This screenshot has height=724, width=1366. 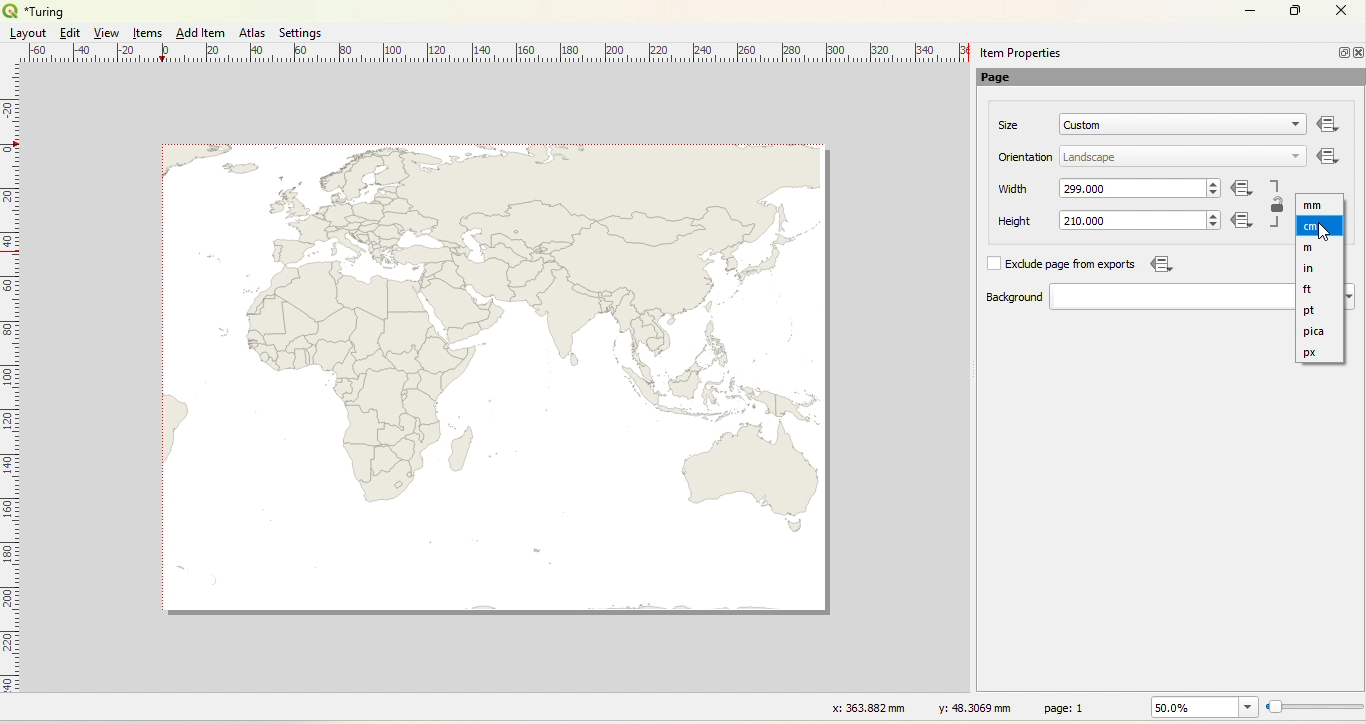 What do you see at coordinates (1010, 126) in the screenshot?
I see `size` at bounding box center [1010, 126].